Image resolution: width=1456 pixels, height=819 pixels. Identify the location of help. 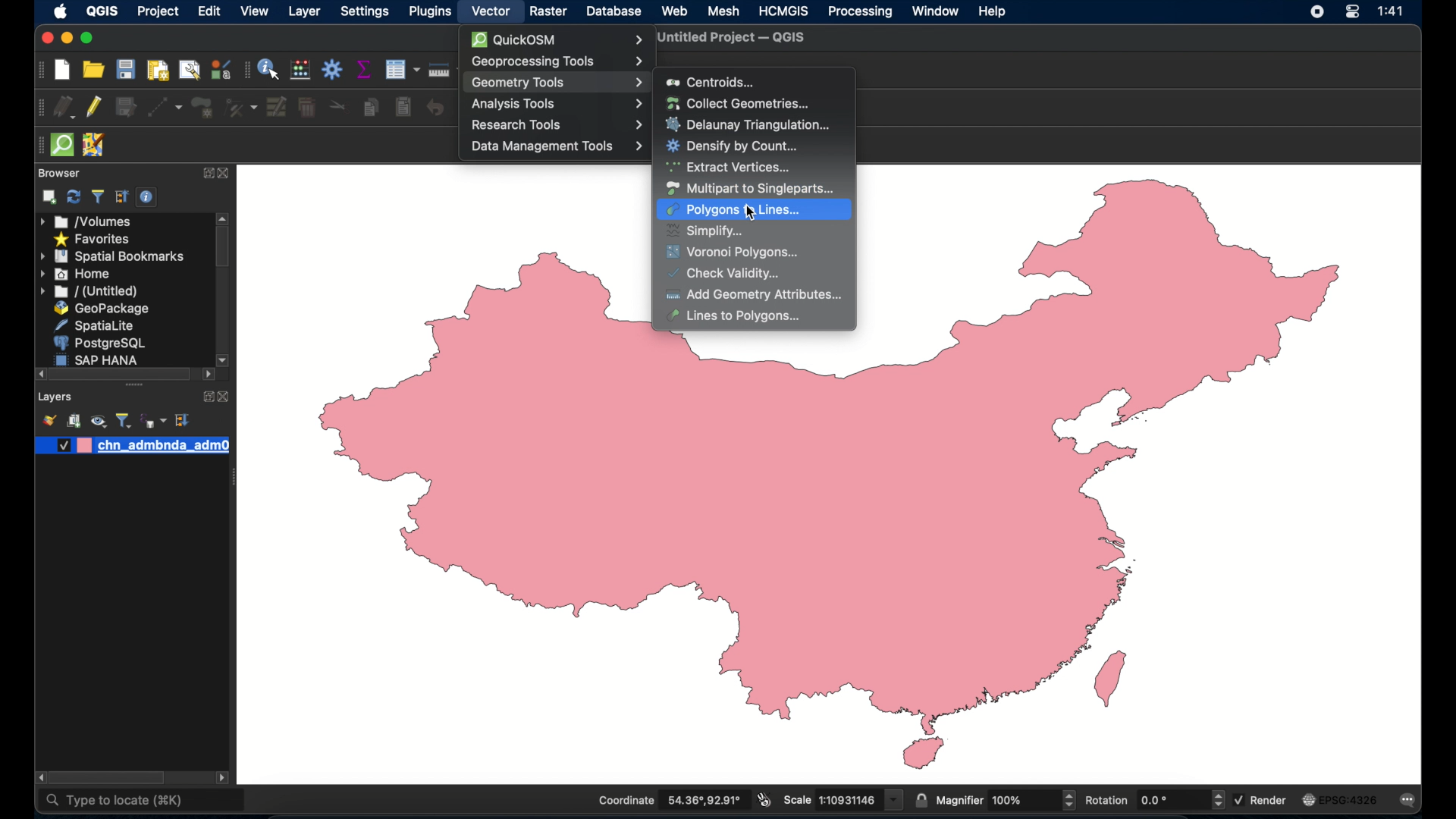
(994, 13).